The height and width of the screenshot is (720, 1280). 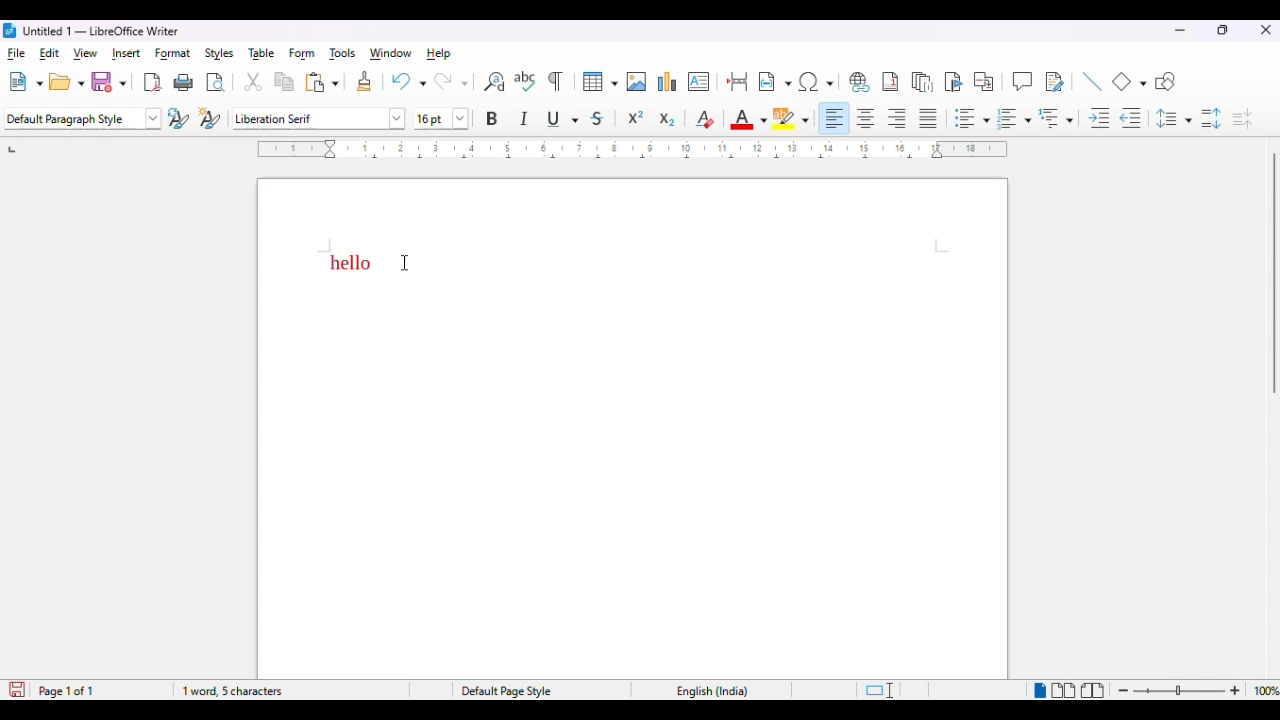 I want to click on align left, so click(x=836, y=118).